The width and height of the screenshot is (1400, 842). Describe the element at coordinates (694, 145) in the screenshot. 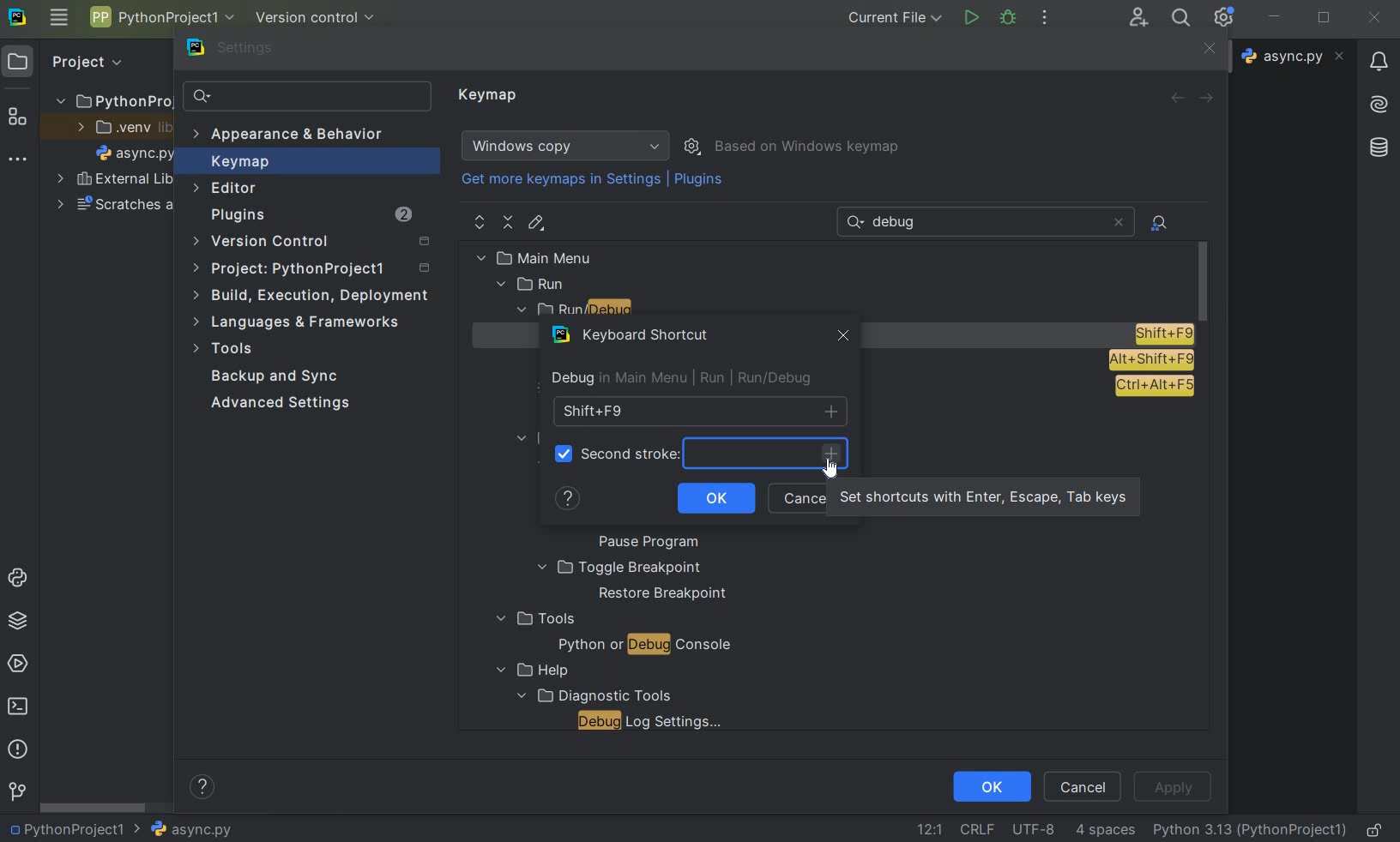

I see `show scheme actions` at that location.